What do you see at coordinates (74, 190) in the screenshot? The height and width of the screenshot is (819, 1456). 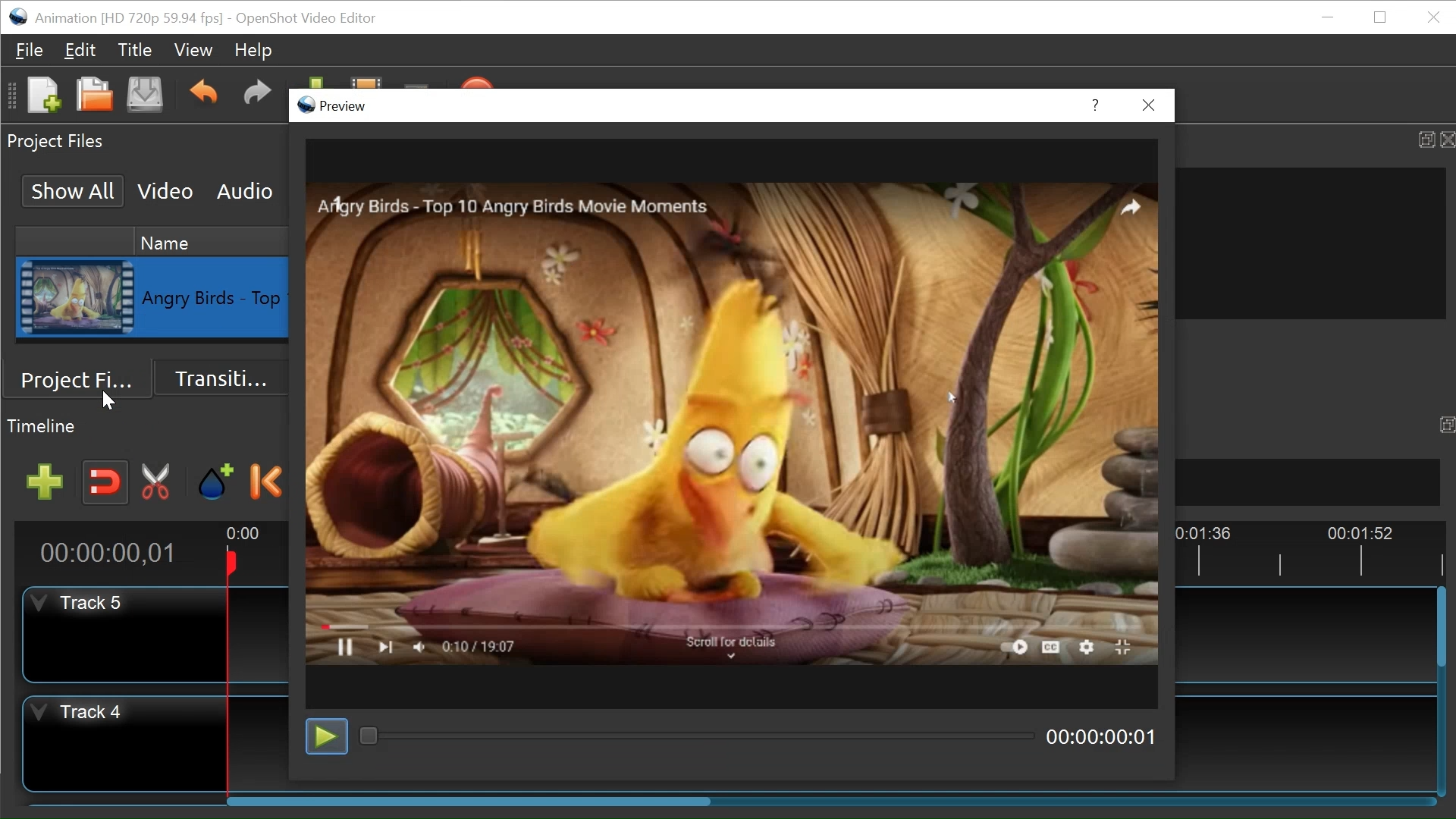 I see `Show All` at bounding box center [74, 190].